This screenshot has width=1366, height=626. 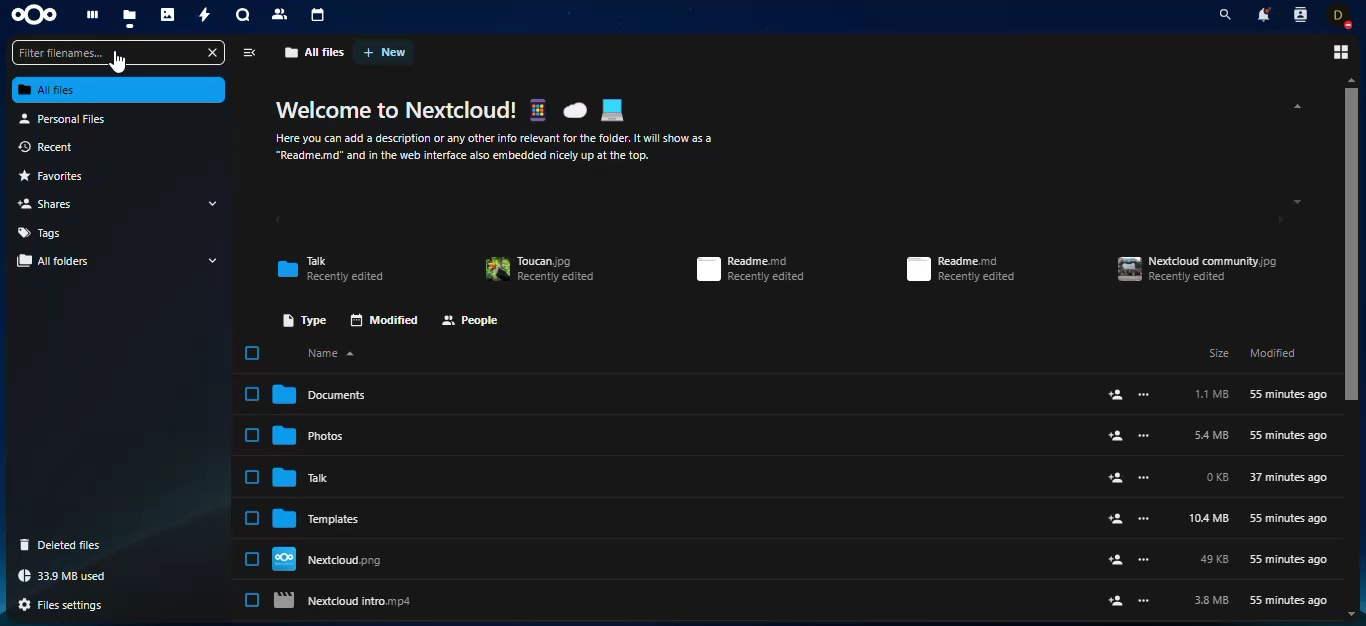 I want to click on Toucan.jpg Recently edited, so click(x=539, y=270).